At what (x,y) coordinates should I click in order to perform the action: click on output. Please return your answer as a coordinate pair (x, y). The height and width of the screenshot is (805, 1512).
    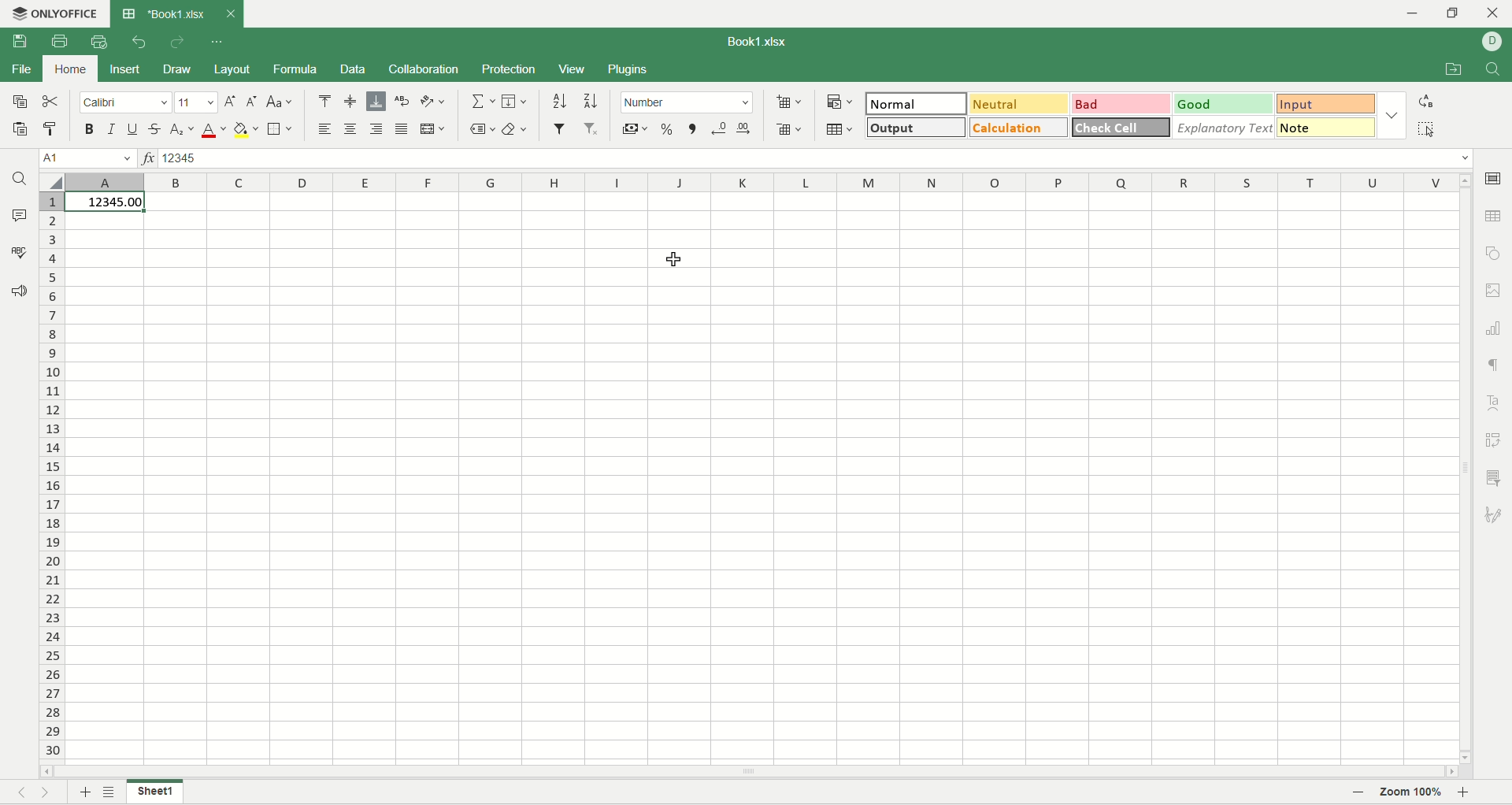
    Looking at the image, I should click on (914, 127).